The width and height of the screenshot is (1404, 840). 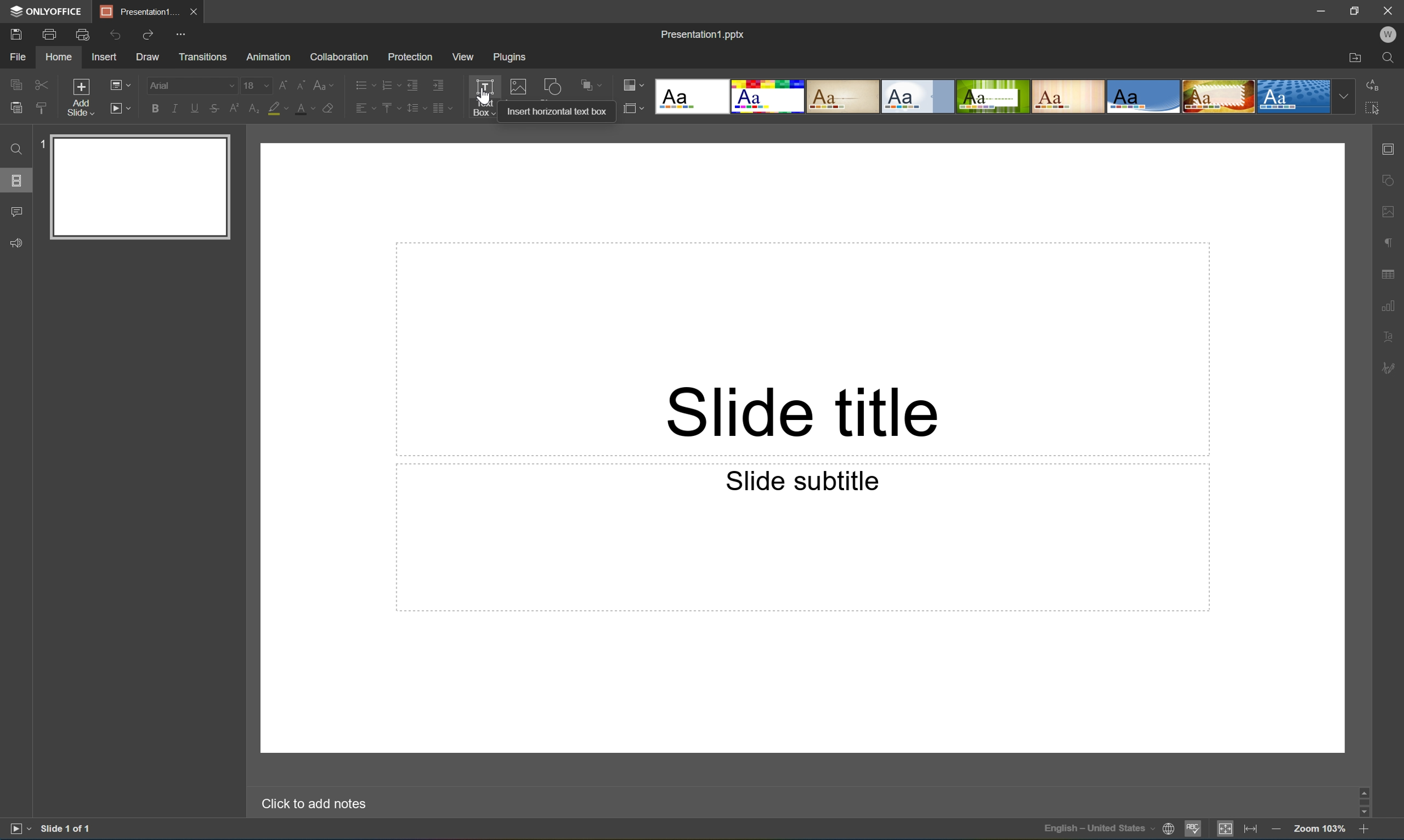 What do you see at coordinates (1388, 306) in the screenshot?
I see `chart settings` at bounding box center [1388, 306].